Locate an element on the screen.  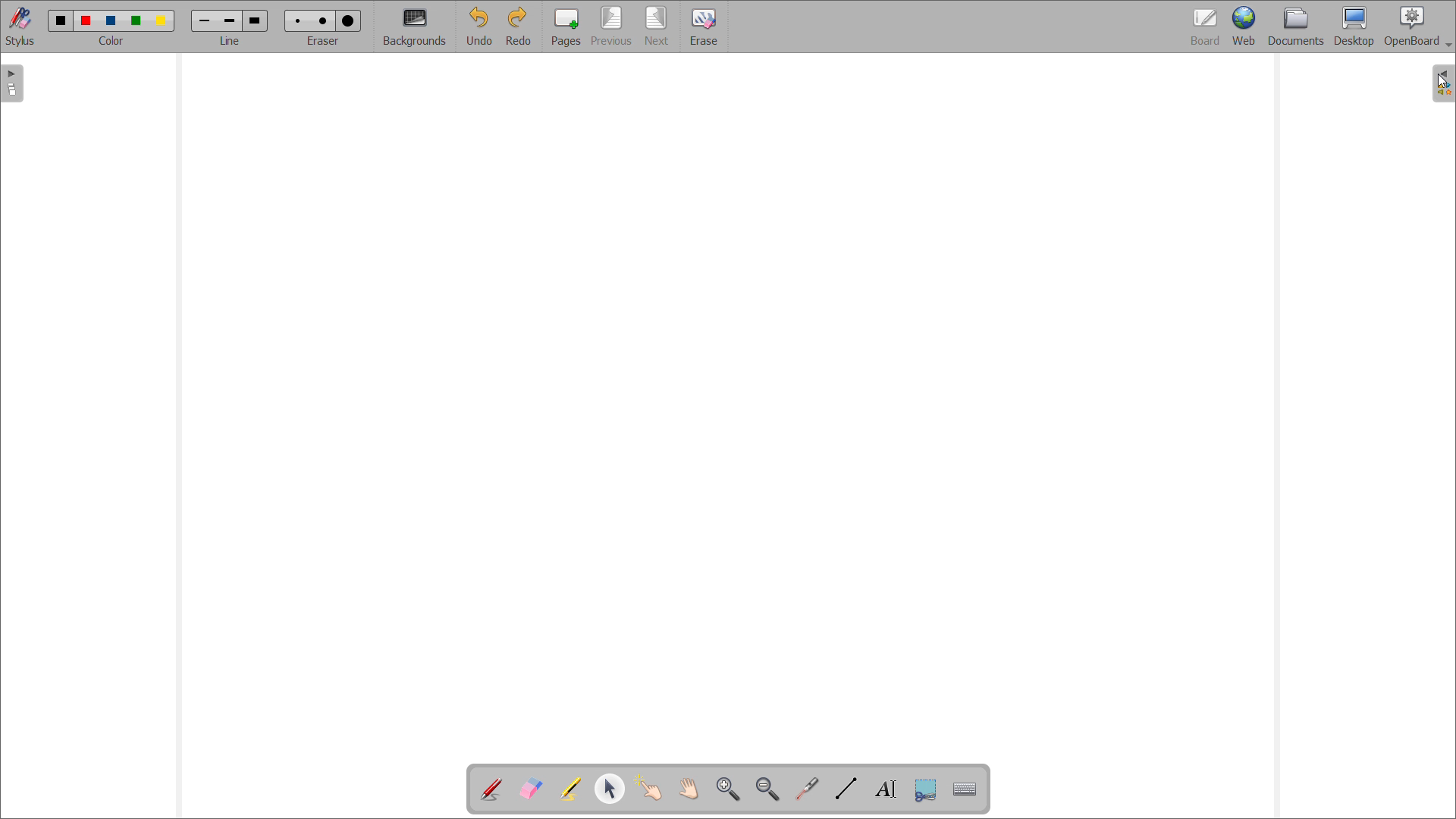
erase annotation is located at coordinates (531, 789).